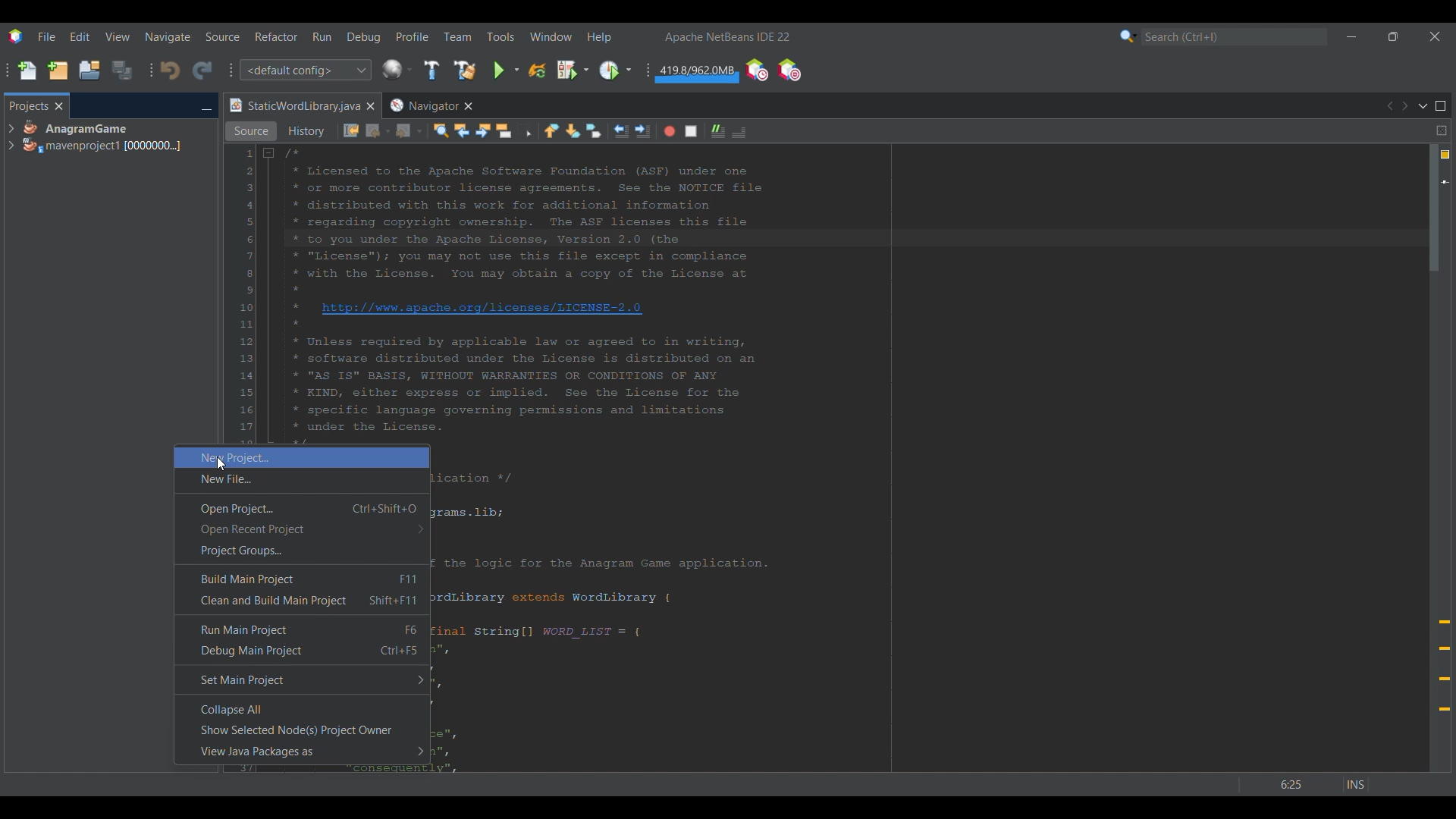 This screenshot has width=1456, height=819. What do you see at coordinates (1304, 784) in the screenshot?
I see `Status bar details` at bounding box center [1304, 784].